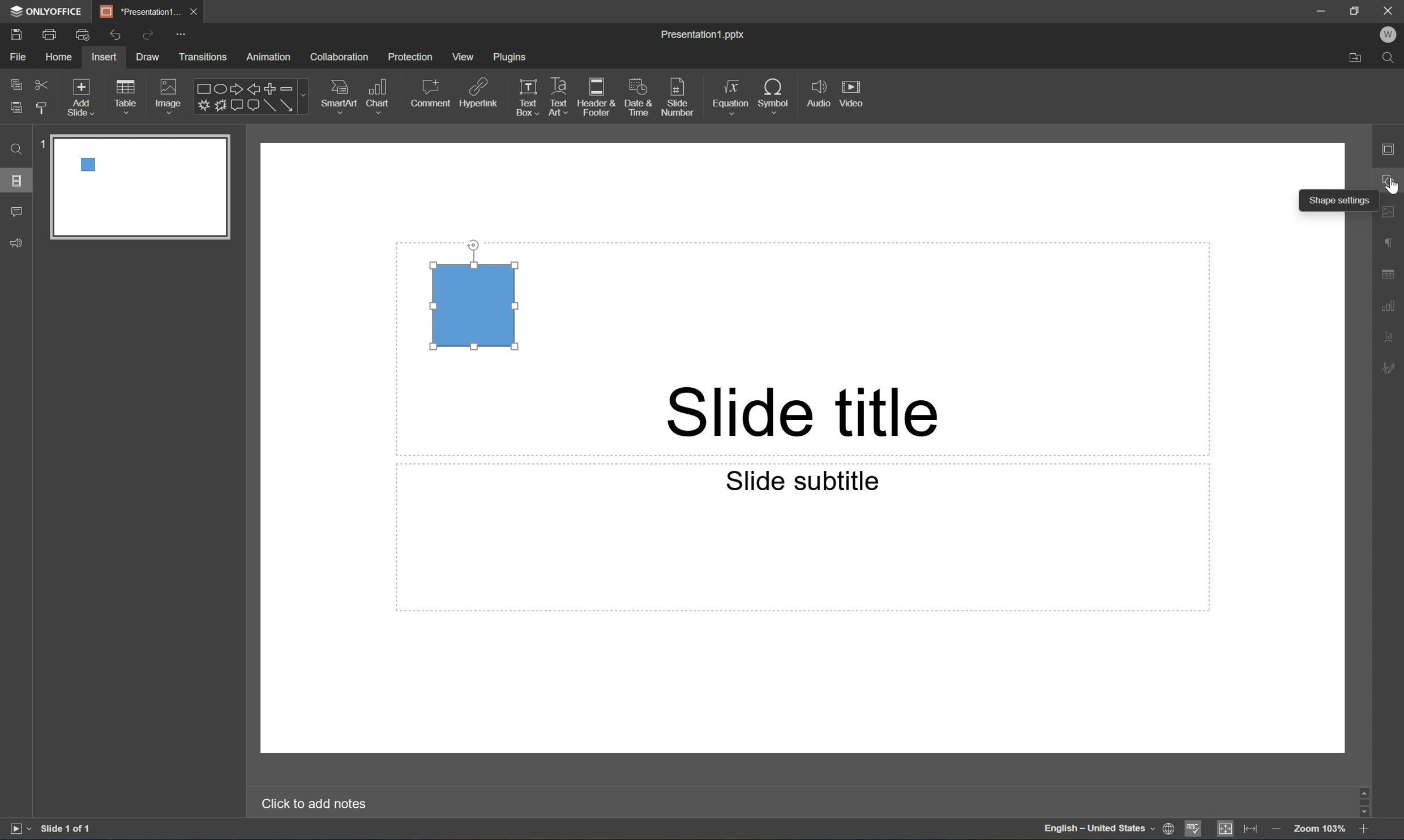 The image size is (1404, 840). Describe the element at coordinates (678, 93) in the screenshot. I see `Slide number` at that location.